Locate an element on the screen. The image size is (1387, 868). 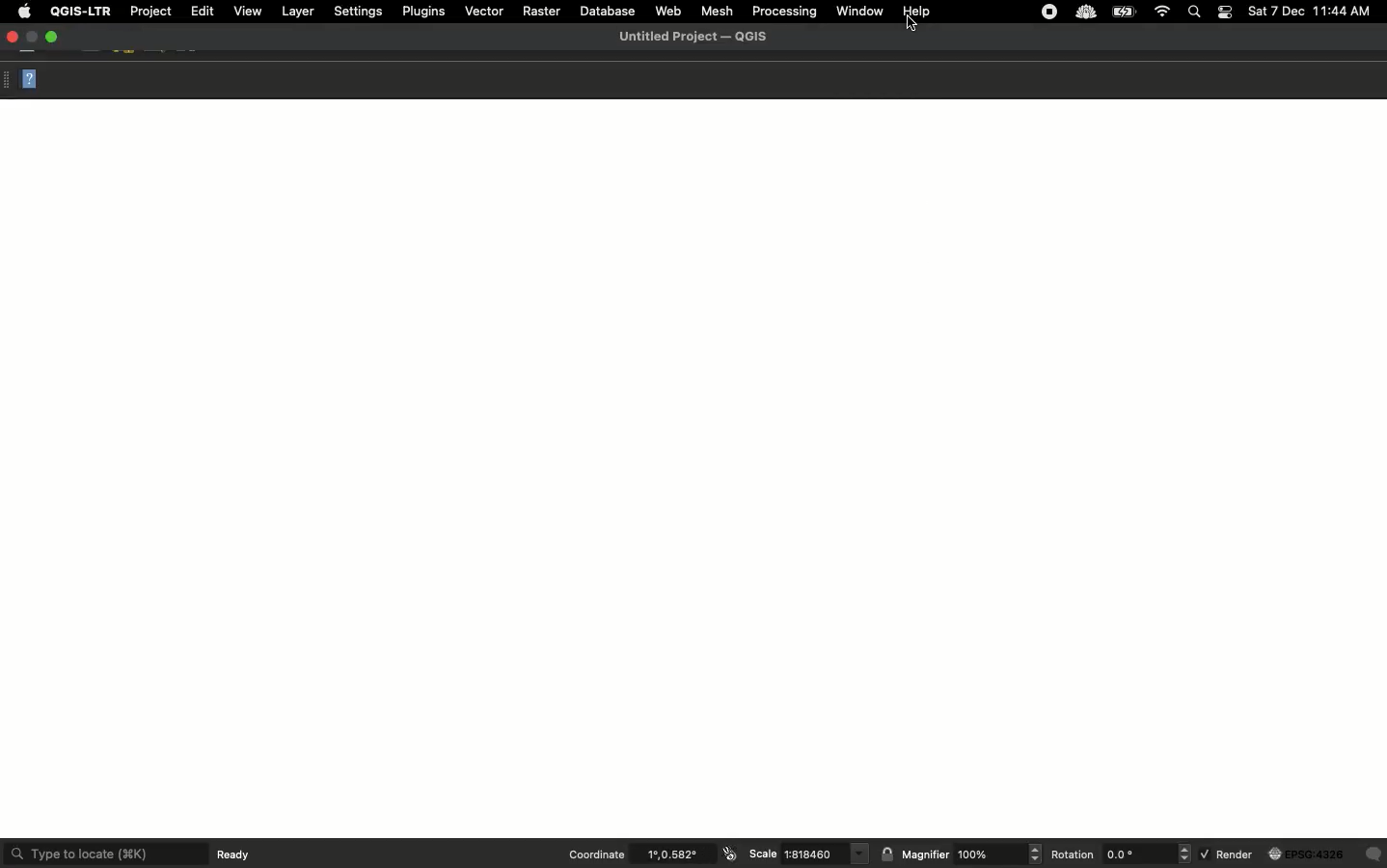
Restore is located at coordinates (32, 34).